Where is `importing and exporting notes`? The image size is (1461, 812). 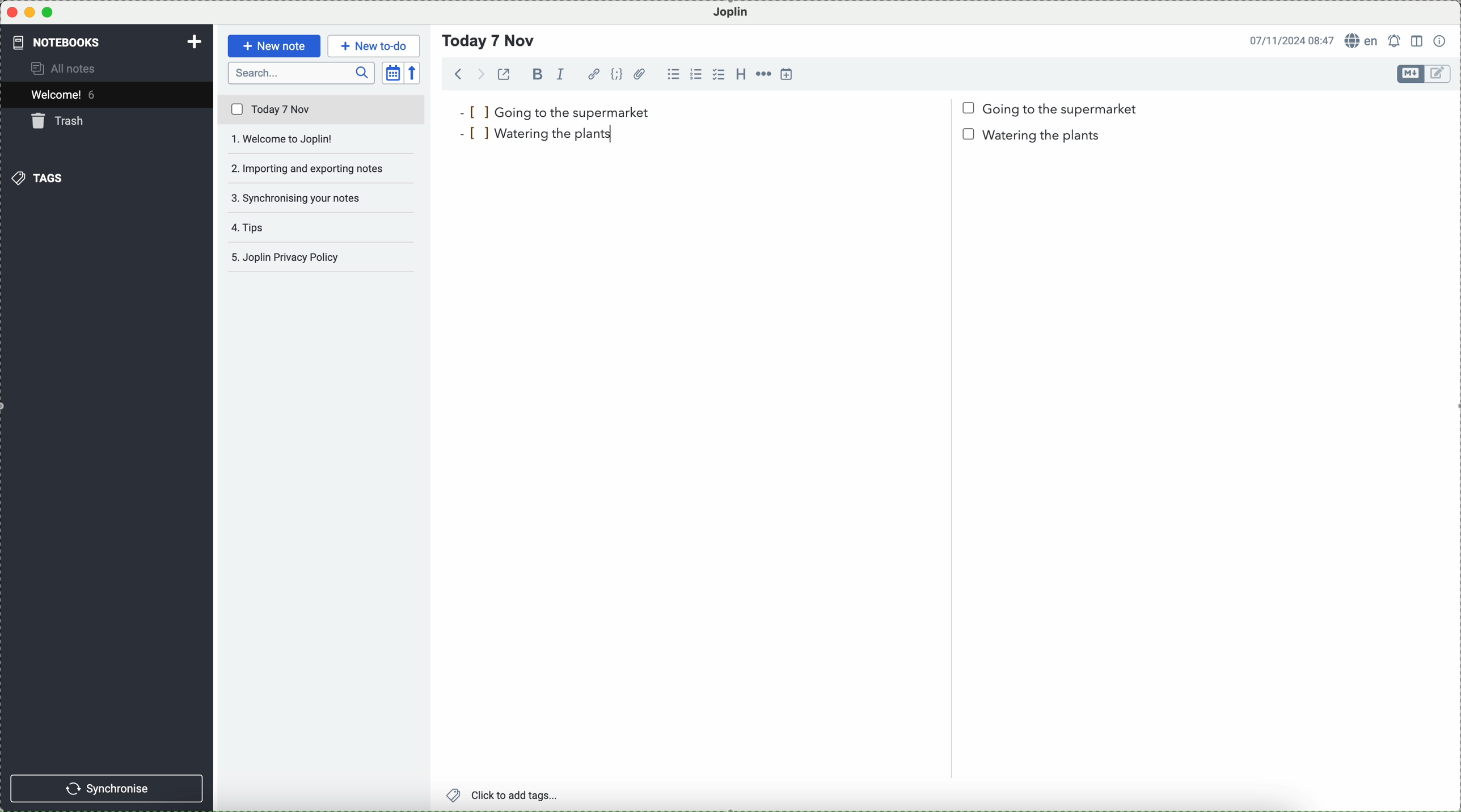
importing and exporting notes is located at coordinates (323, 168).